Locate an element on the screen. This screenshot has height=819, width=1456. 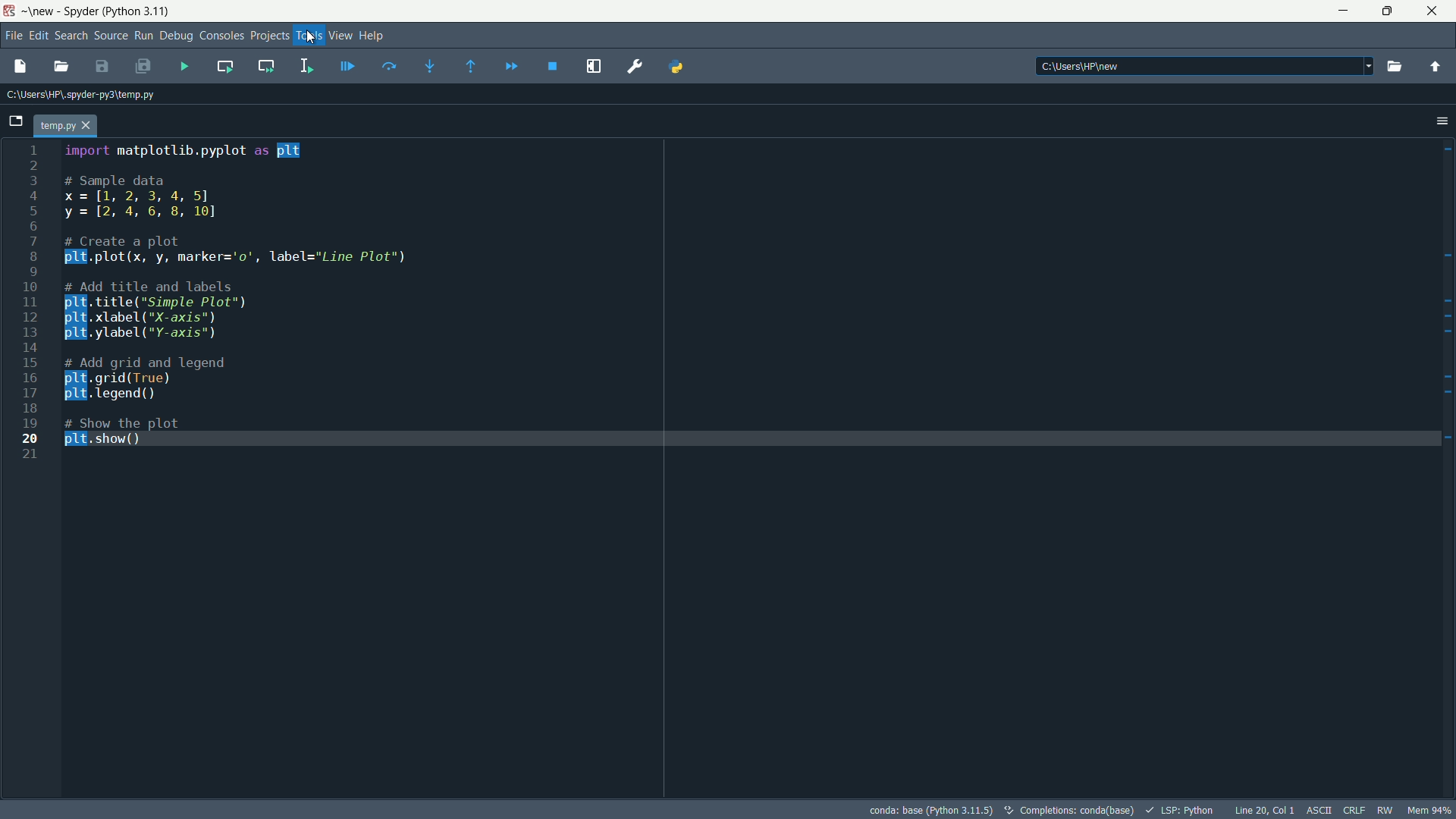
cursor is located at coordinates (311, 36).